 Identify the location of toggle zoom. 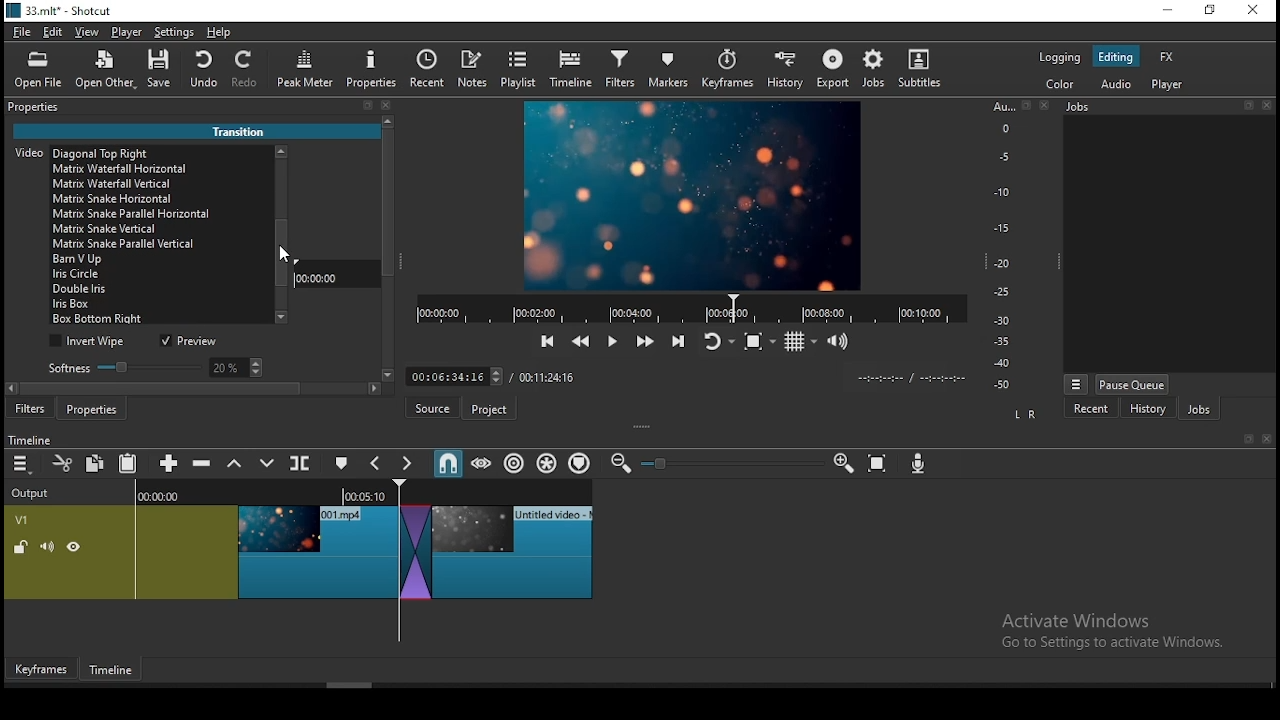
(759, 341).